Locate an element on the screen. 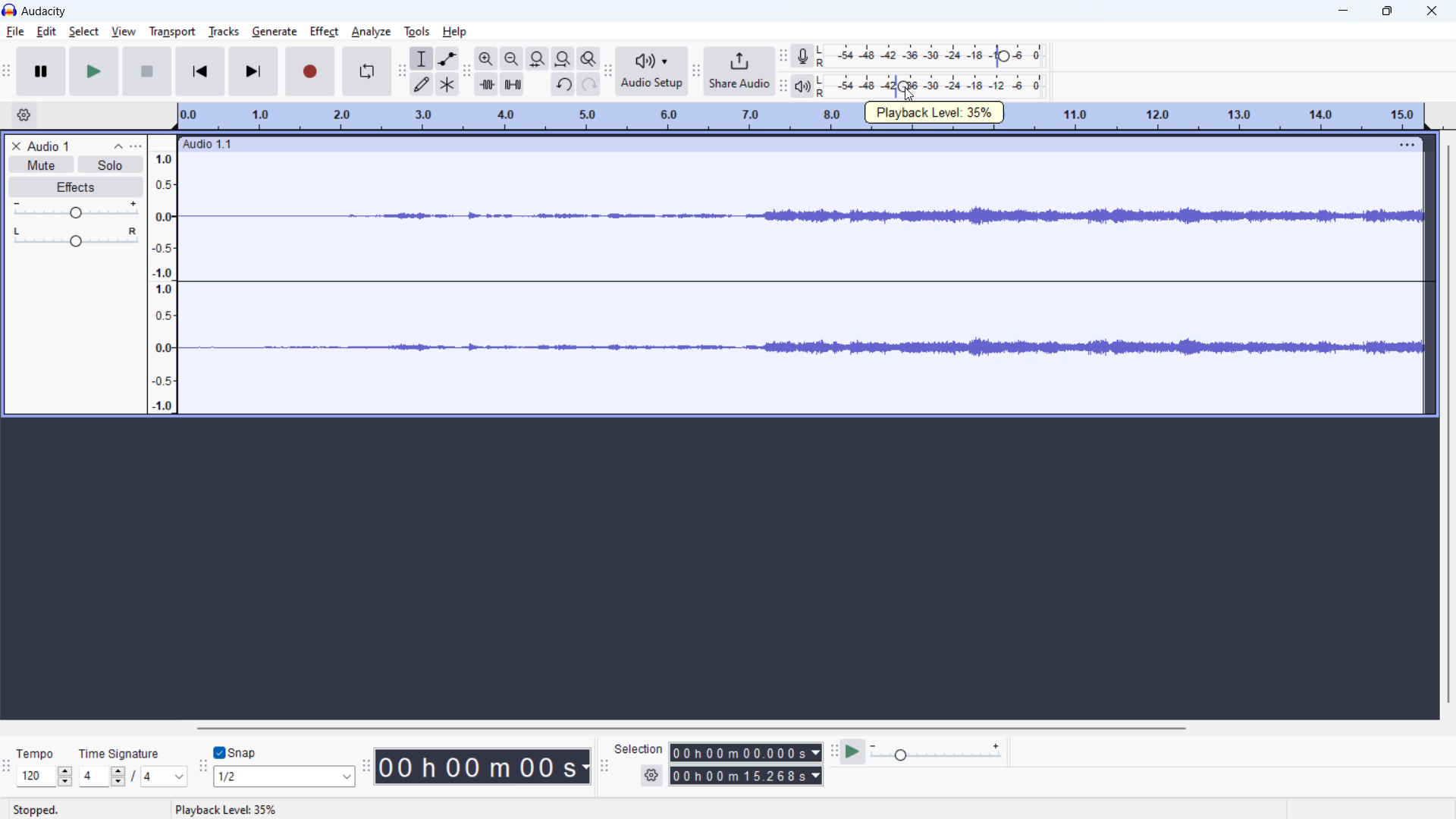  record level is located at coordinates (930, 56).